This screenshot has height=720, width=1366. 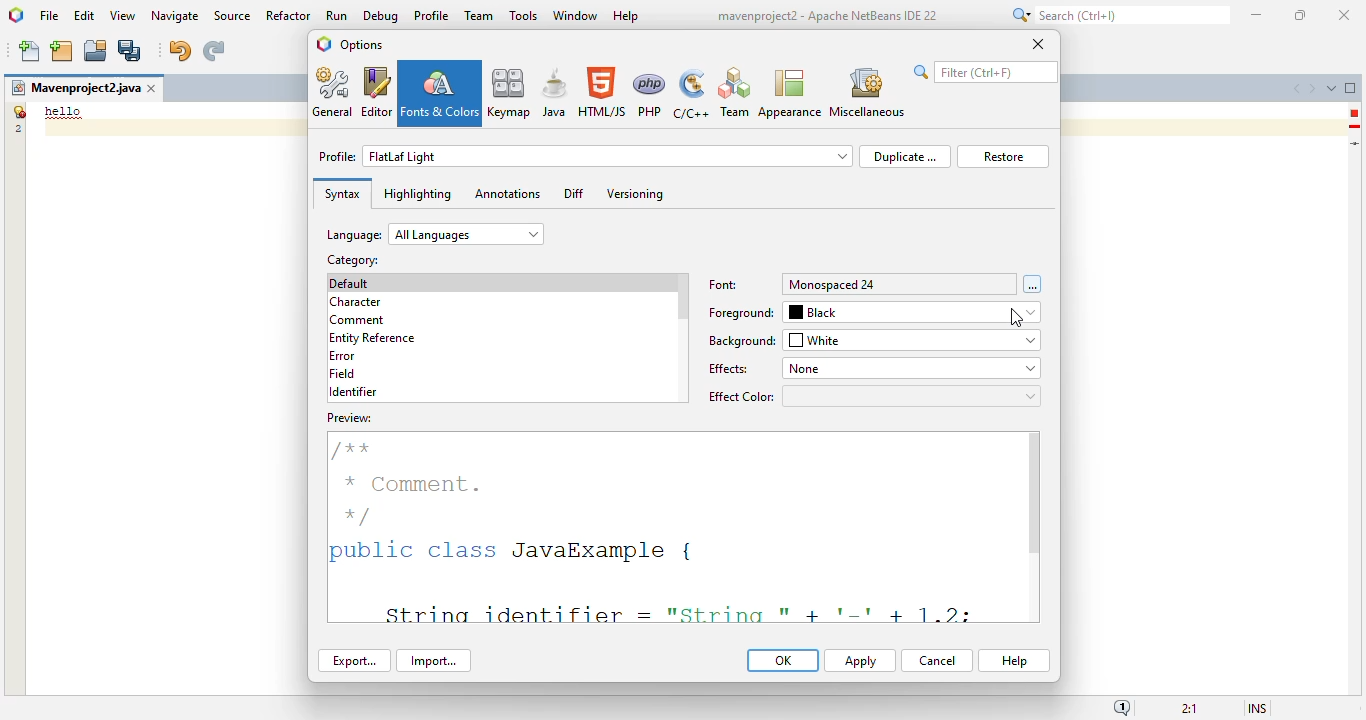 What do you see at coordinates (555, 92) in the screenshot?
I see `java` at bounding box center [555, 92].